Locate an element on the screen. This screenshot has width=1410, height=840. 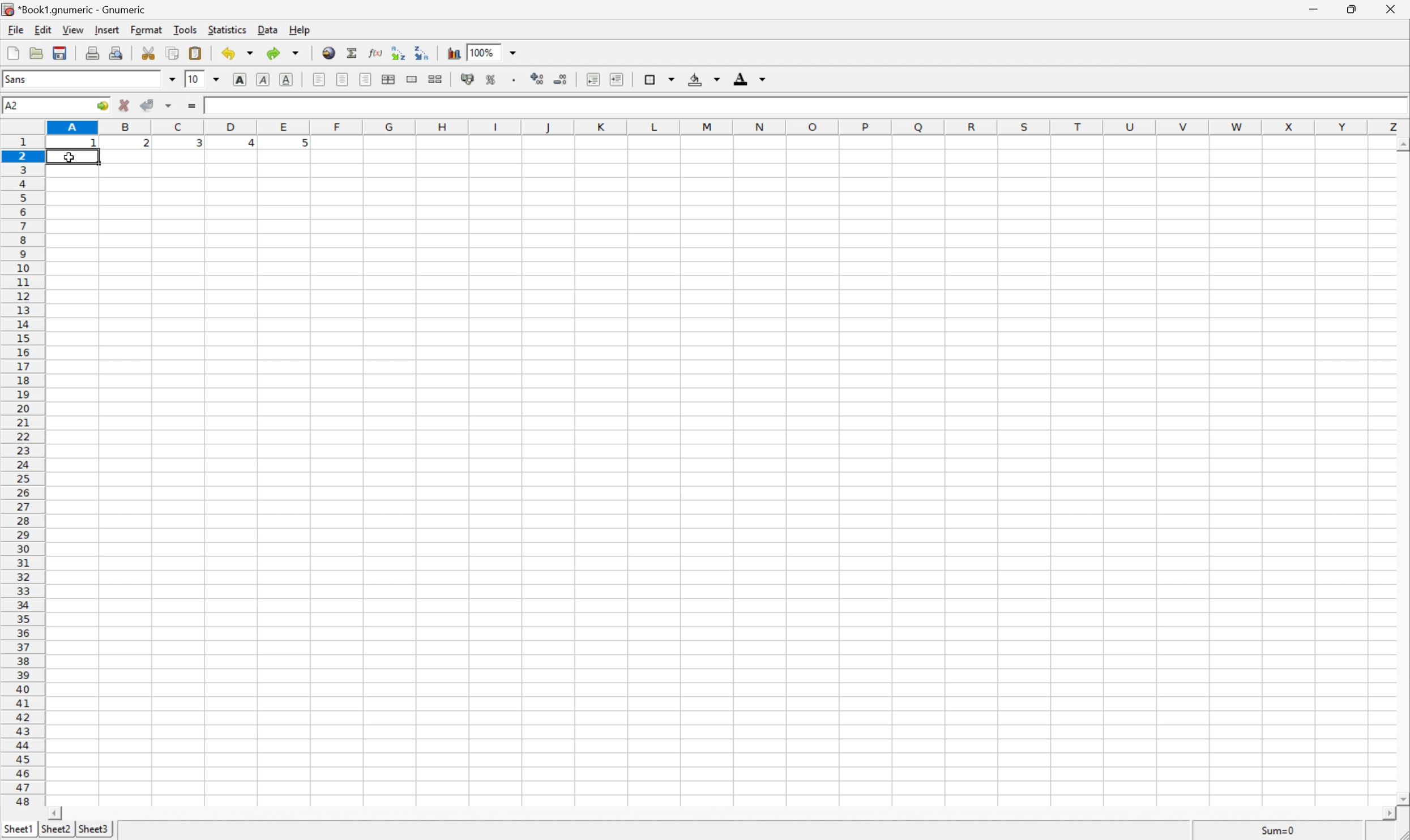
insert chart is located at coordinates (454, 53).